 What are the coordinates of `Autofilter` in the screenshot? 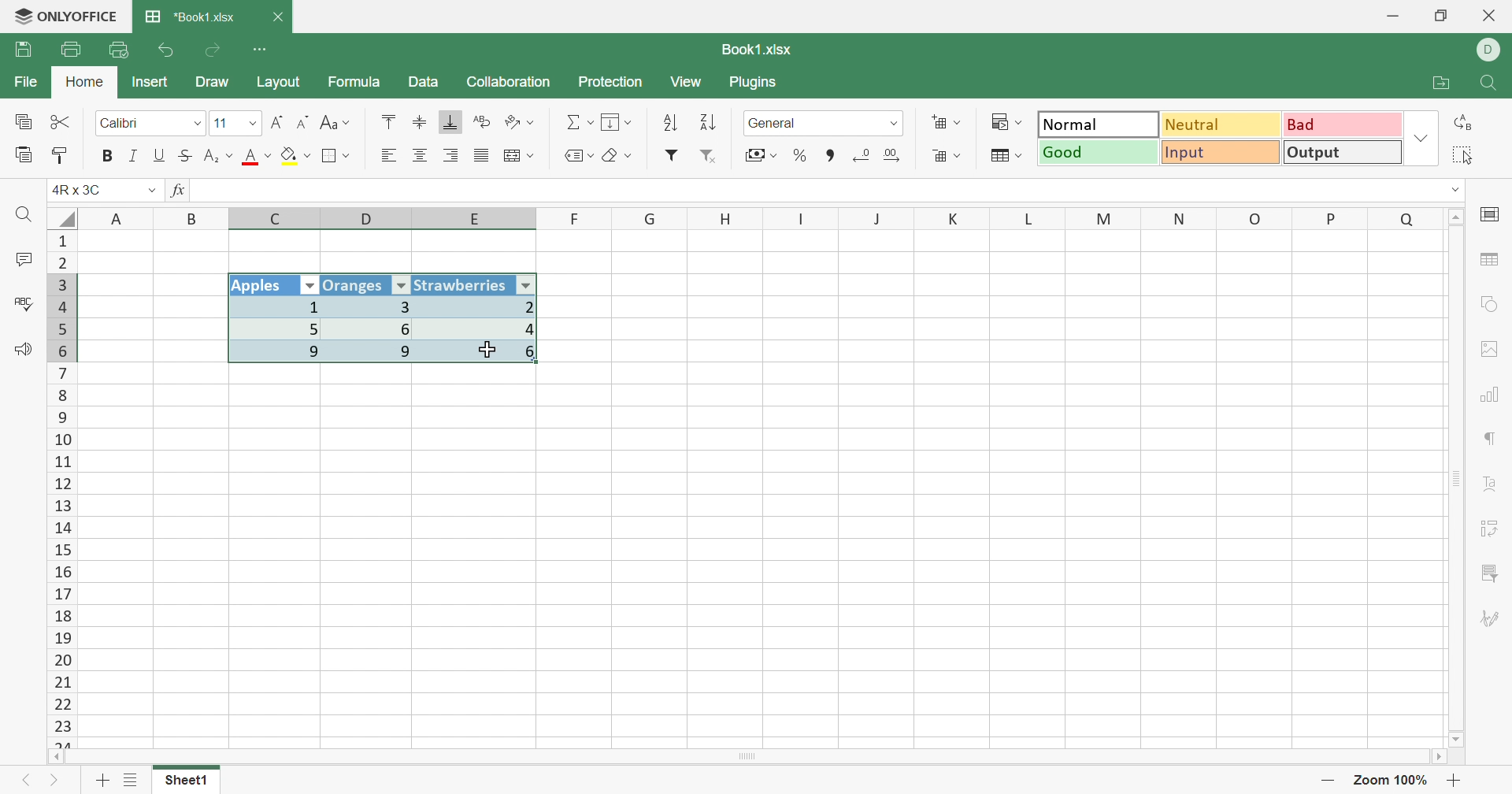 It's located at (401, 286).